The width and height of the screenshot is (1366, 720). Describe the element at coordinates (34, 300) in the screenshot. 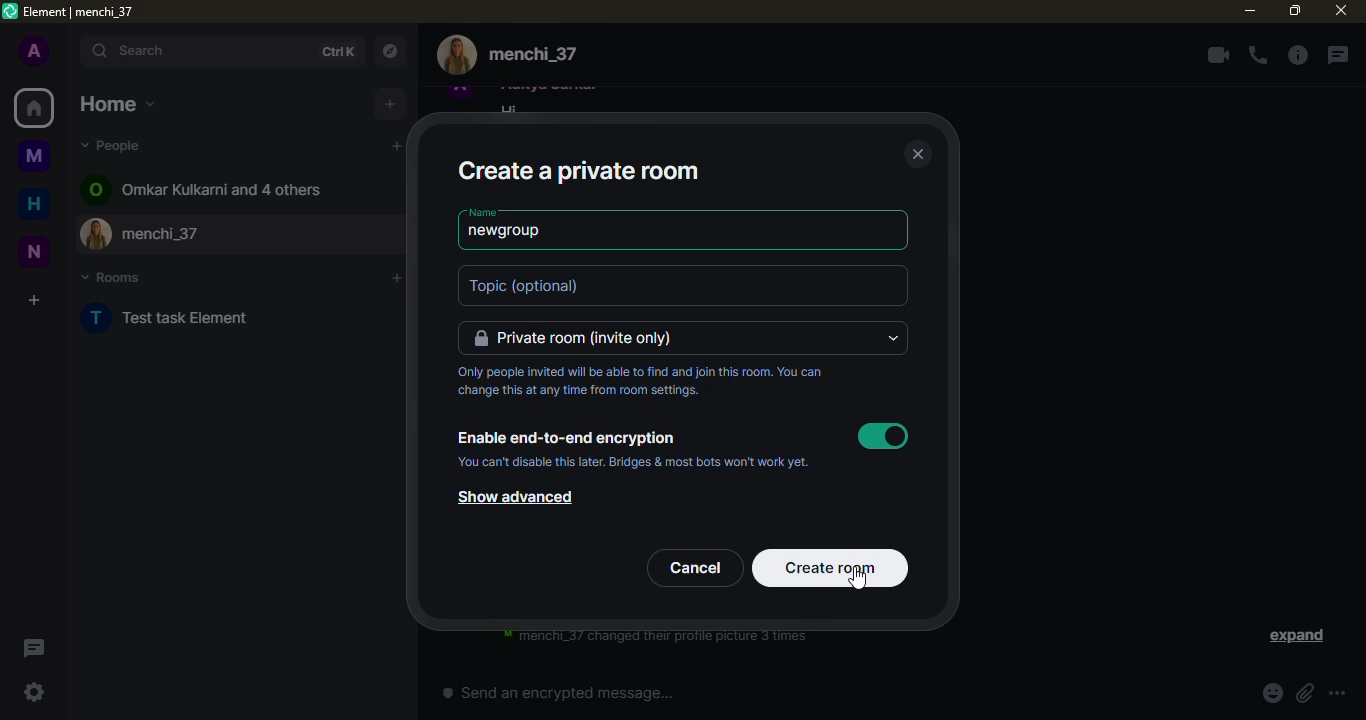

I see `create space` at that location.